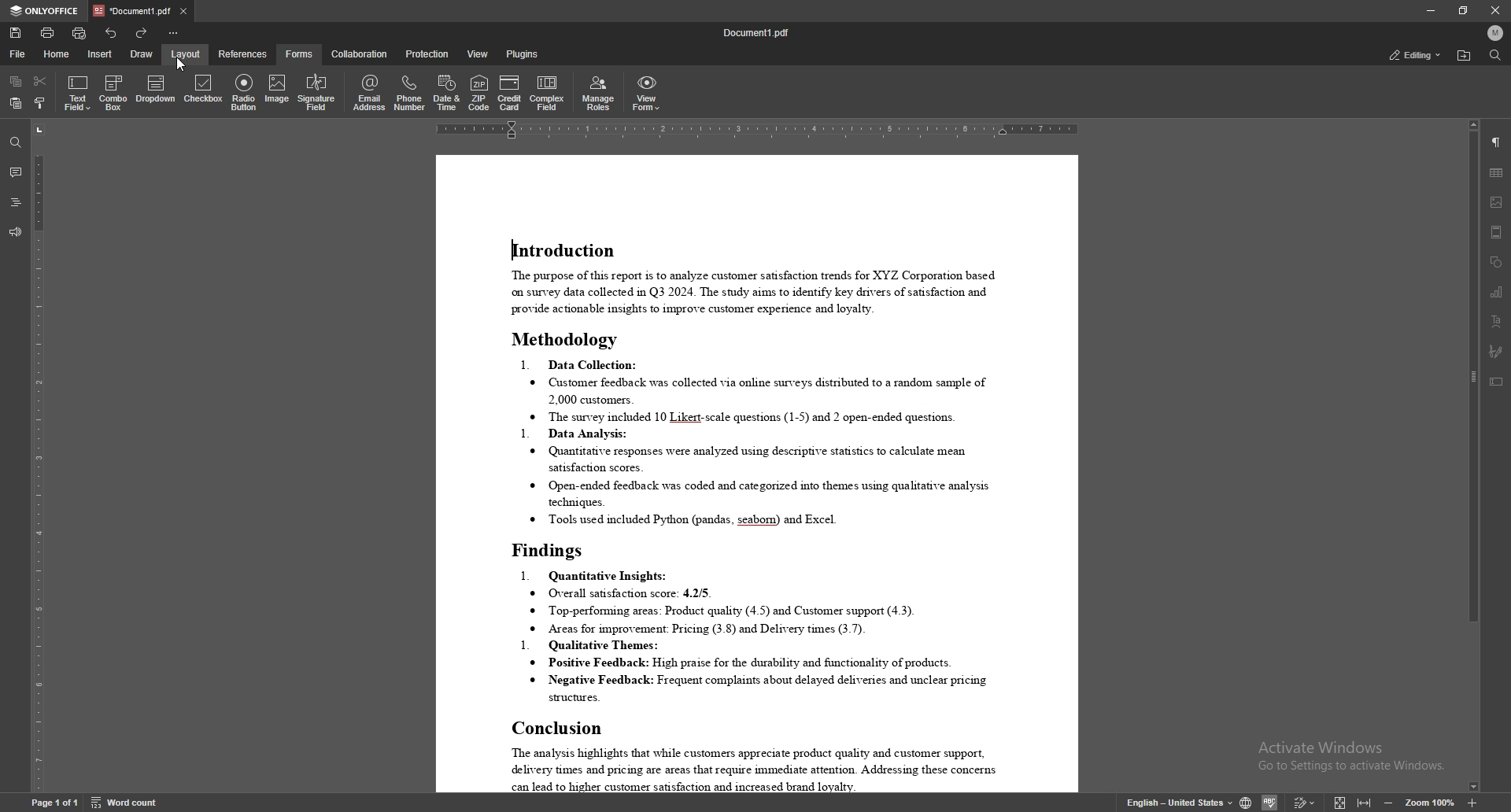  I want to click on copy style, so click(39, 103).